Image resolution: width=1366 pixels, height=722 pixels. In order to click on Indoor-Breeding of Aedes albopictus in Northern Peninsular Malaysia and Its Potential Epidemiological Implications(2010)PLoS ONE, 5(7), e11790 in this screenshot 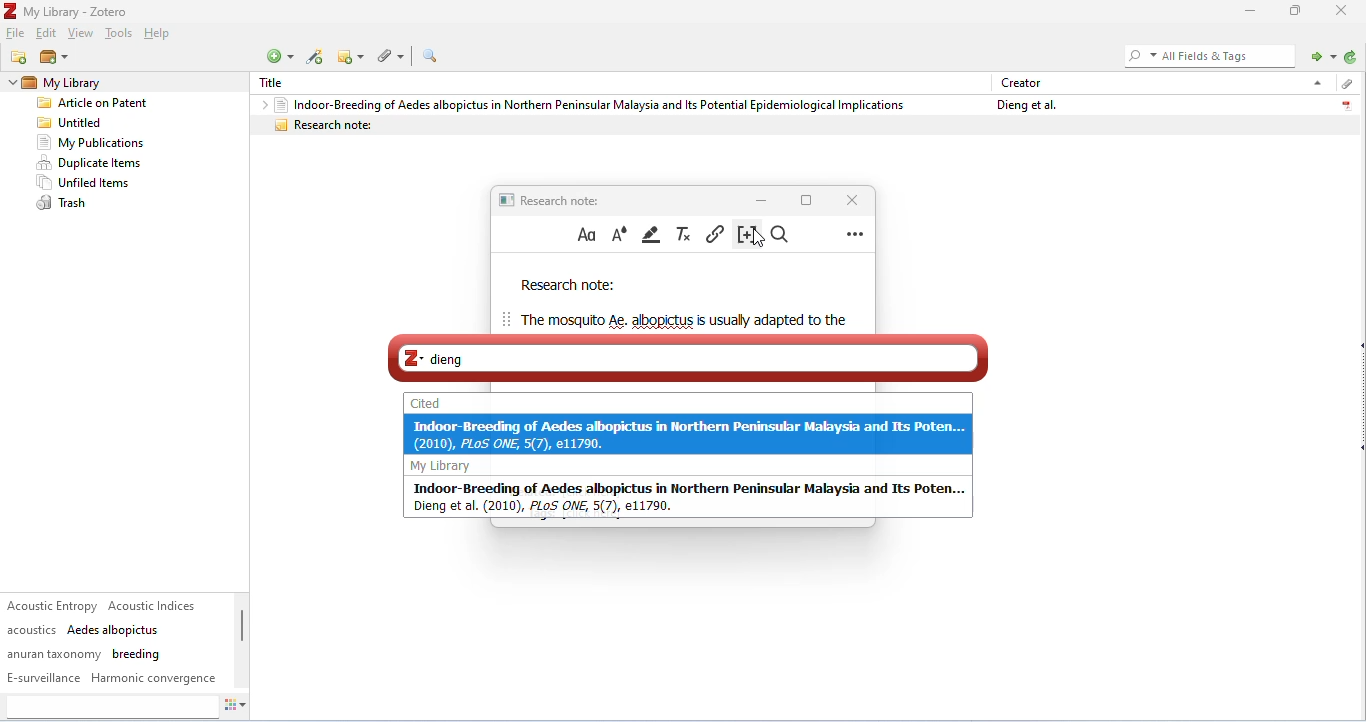, I will do `click(690, 497)`.